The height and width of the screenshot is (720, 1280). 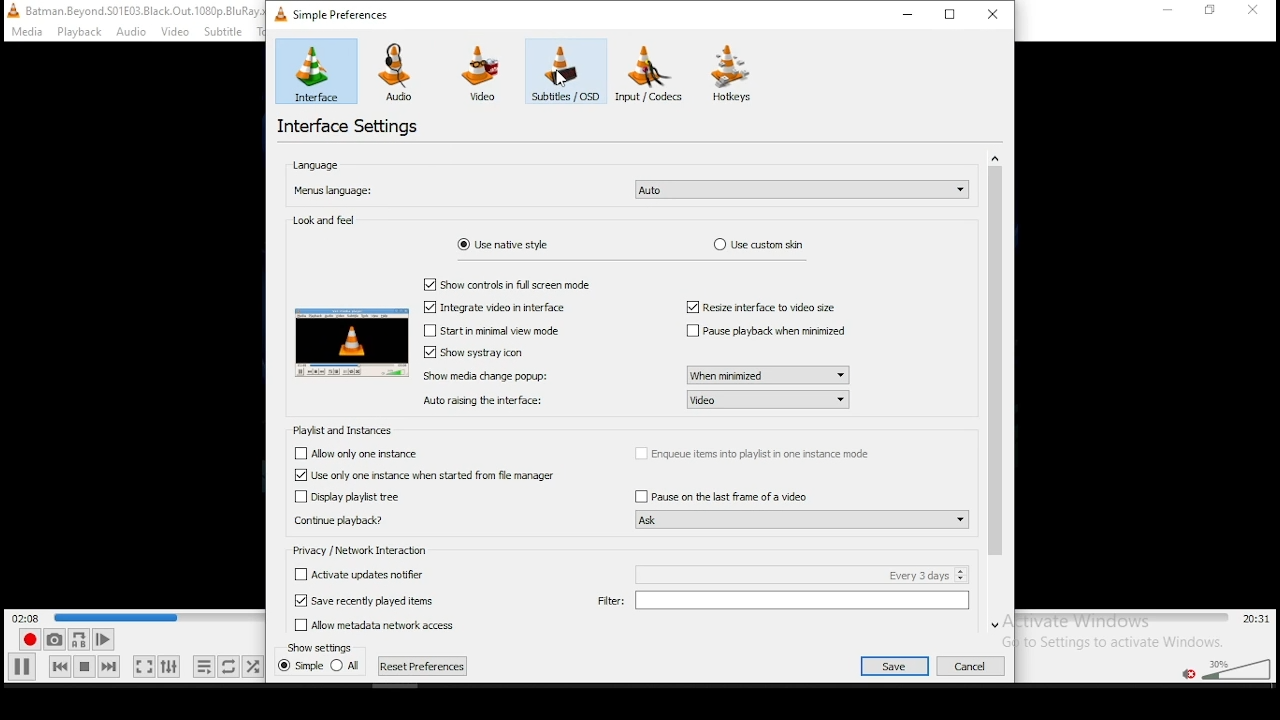 What do you see at coordinates (176, 32) in the screenshot?
I see `` at bounding box center [176, 32].